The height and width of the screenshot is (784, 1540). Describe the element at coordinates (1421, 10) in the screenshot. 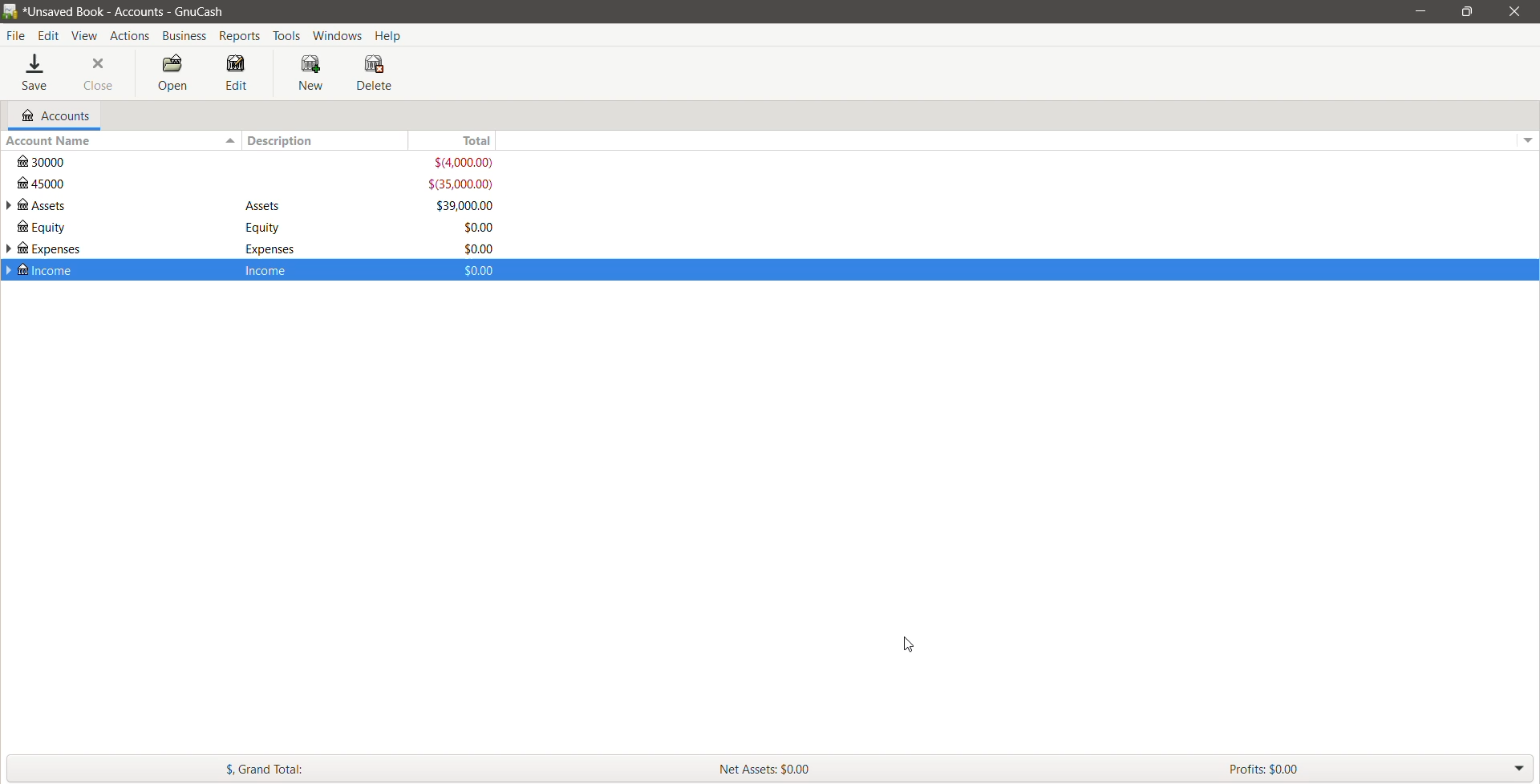

I see `Minimize` at that location.